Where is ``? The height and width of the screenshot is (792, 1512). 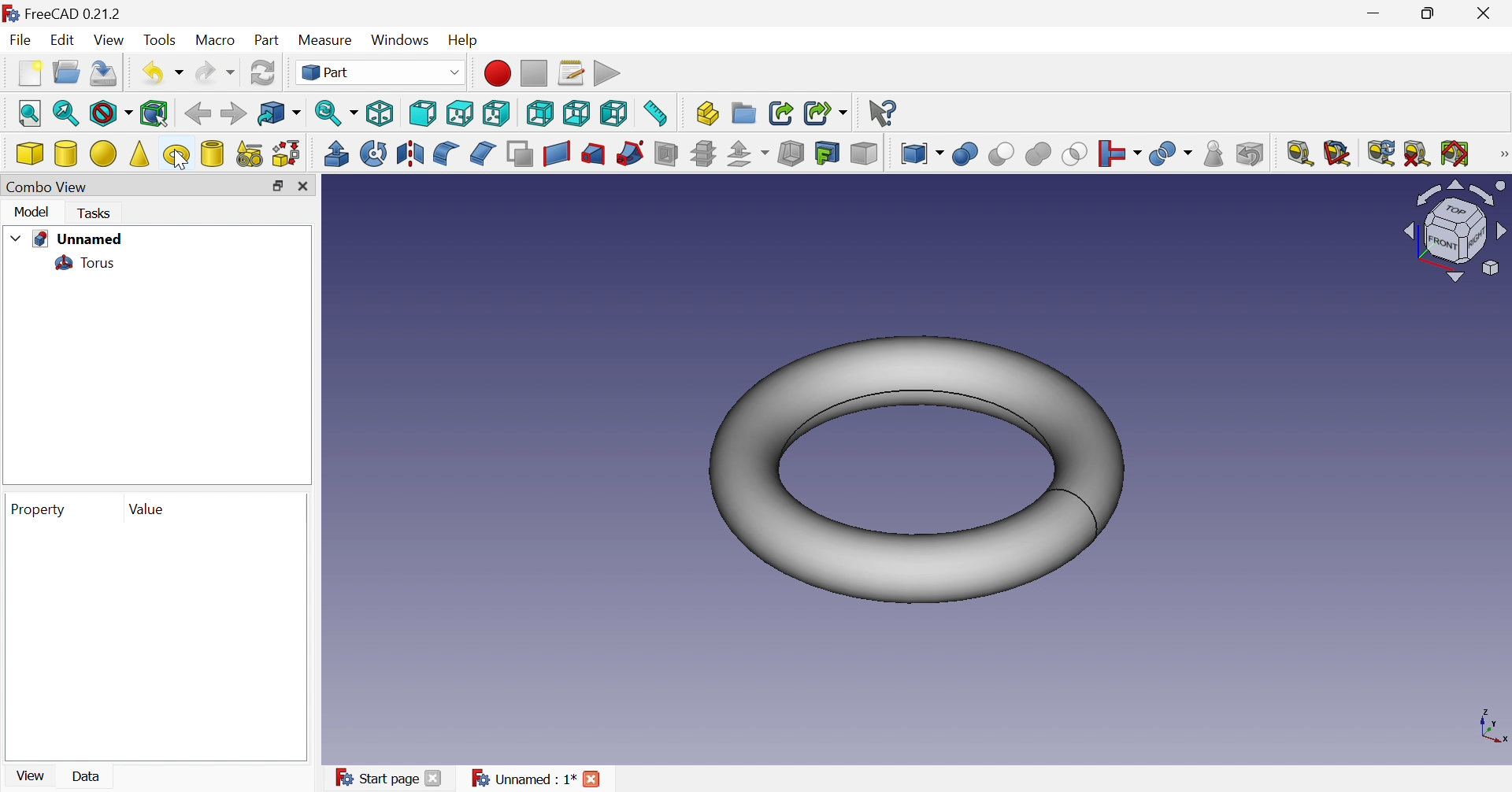  is located at coordinates (1215, 154).